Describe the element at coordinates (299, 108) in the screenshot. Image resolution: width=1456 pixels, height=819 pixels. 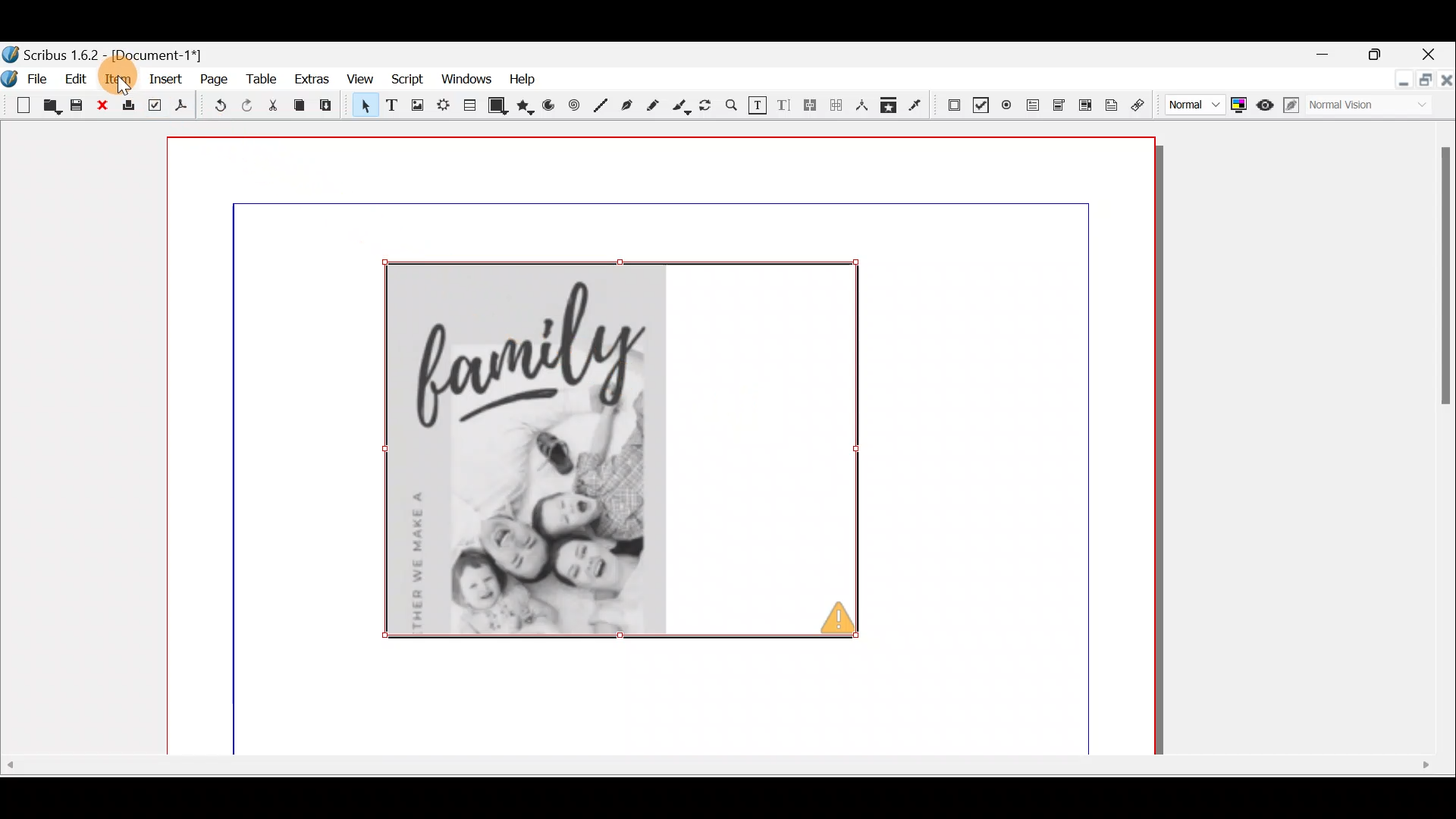
I see `Copy` at that location.